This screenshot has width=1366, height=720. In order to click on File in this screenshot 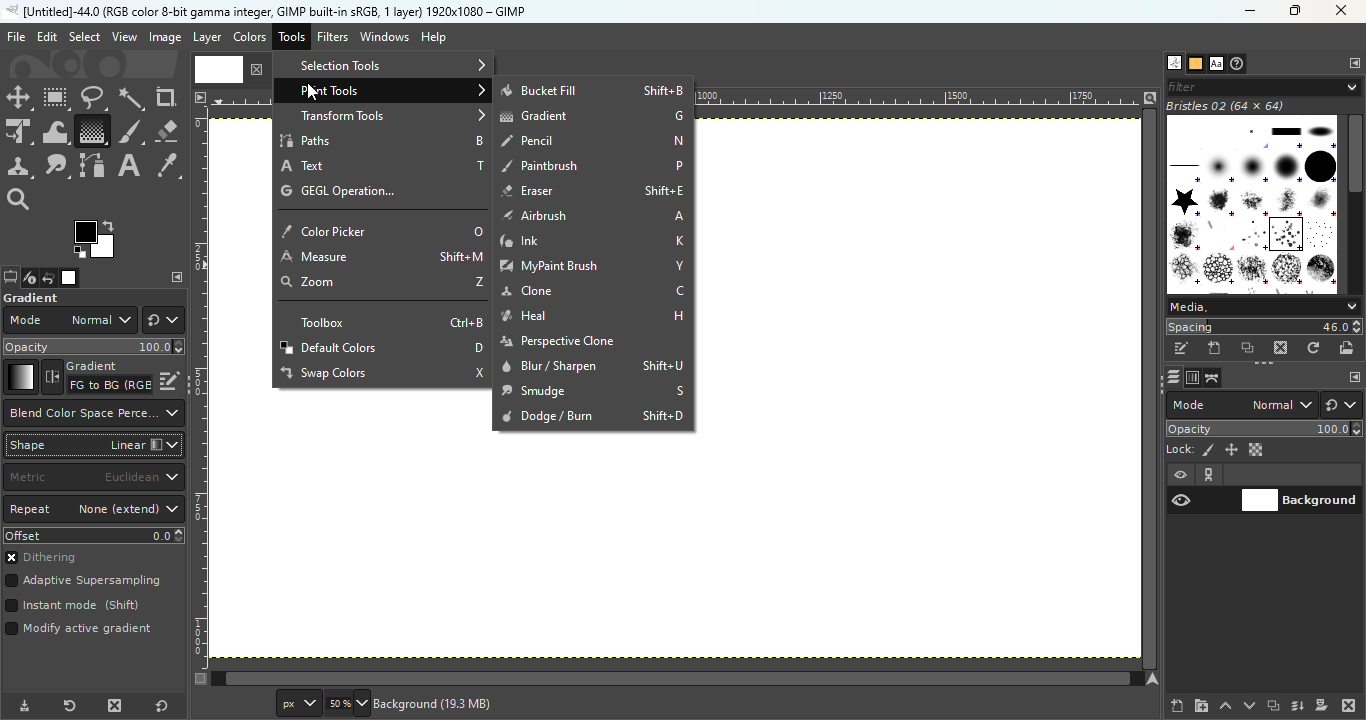, I will do `click(16, 37)`.